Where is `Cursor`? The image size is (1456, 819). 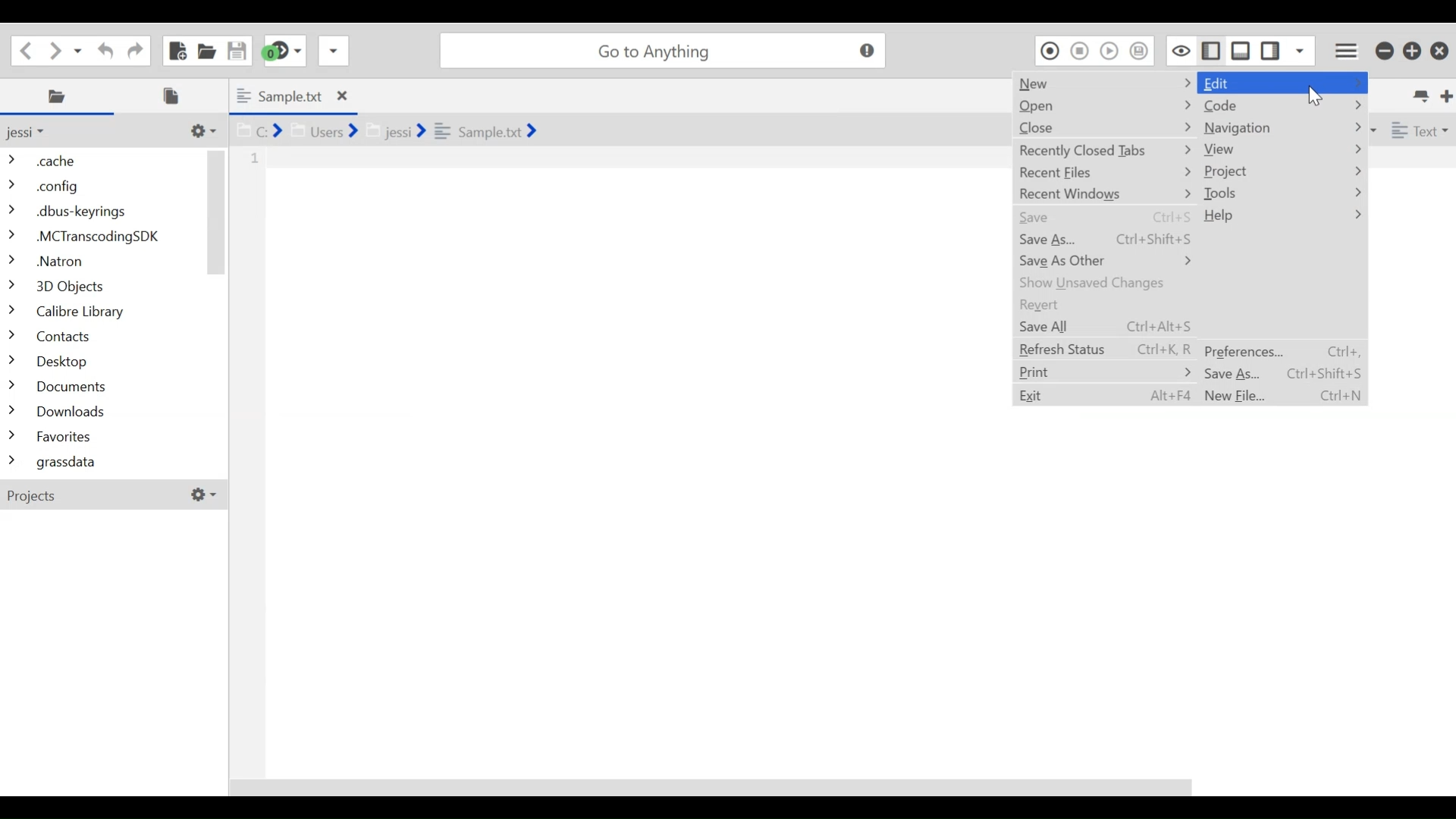
Cursor is located at coordinates (1316, 94).